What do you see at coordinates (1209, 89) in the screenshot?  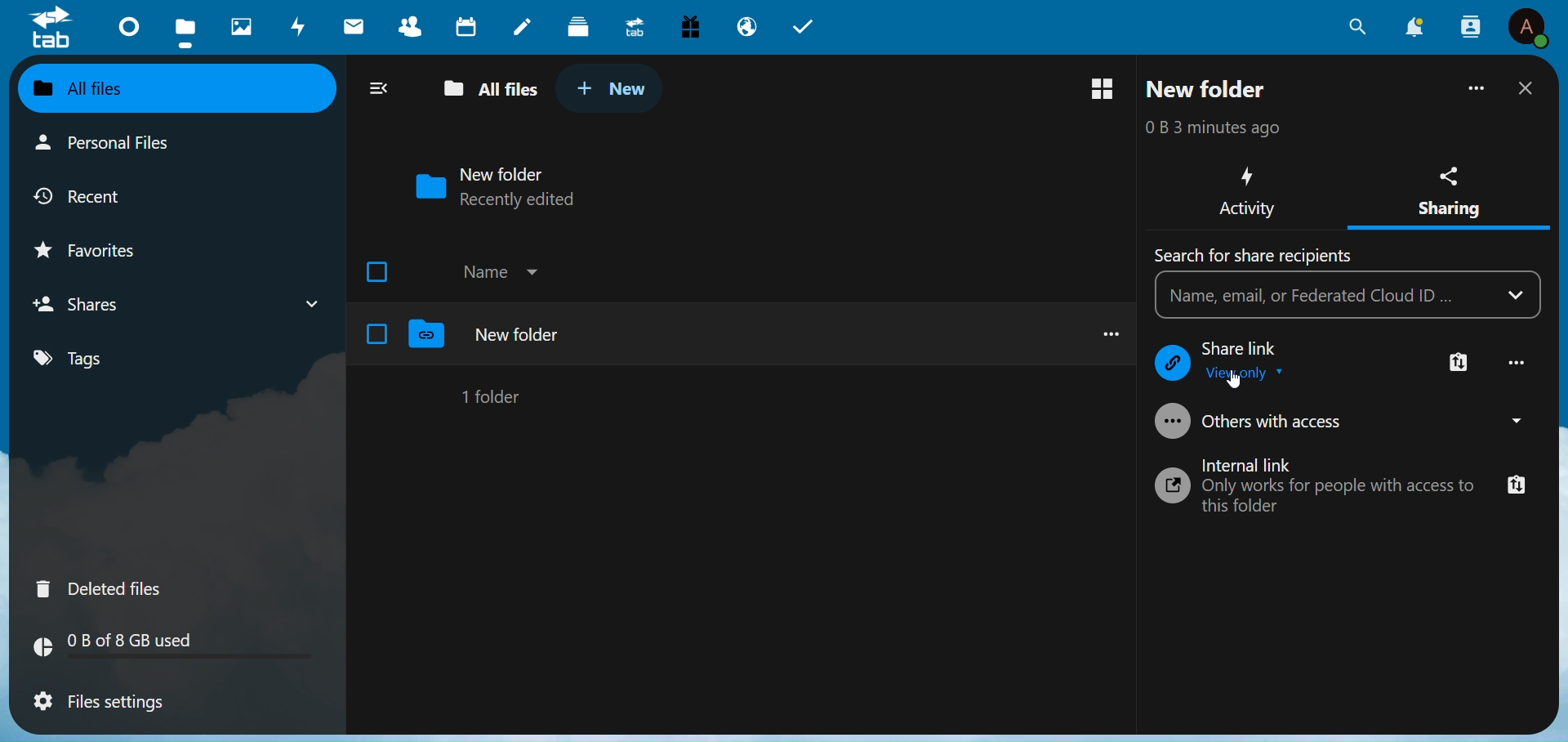 I see `New Folder` at bounding box center [1209, 89].